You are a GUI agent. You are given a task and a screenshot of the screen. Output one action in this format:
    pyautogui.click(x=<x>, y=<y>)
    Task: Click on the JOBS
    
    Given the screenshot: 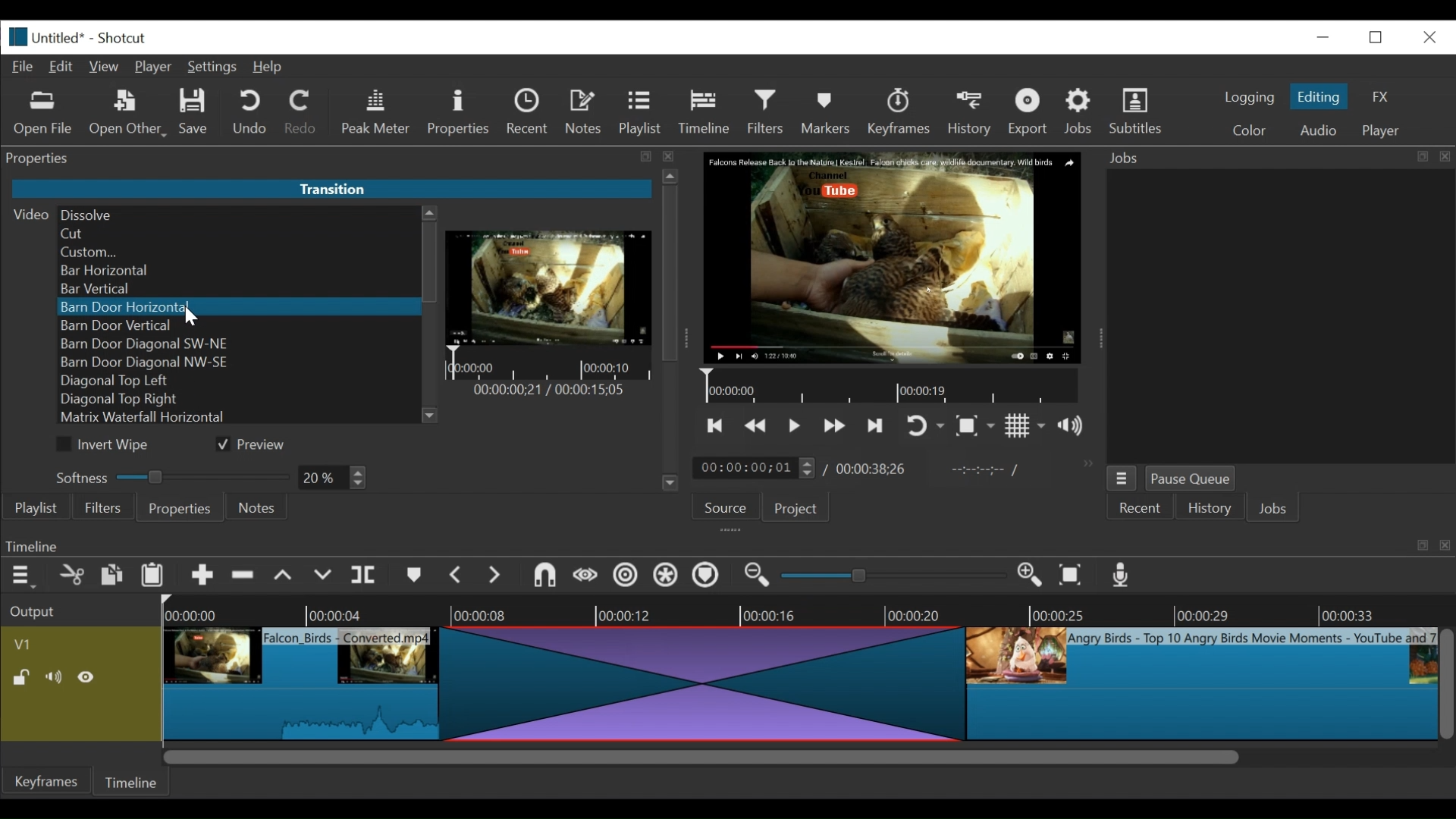 What is the action you would take?
    pyautogui.click(x=1275, y=510)
    